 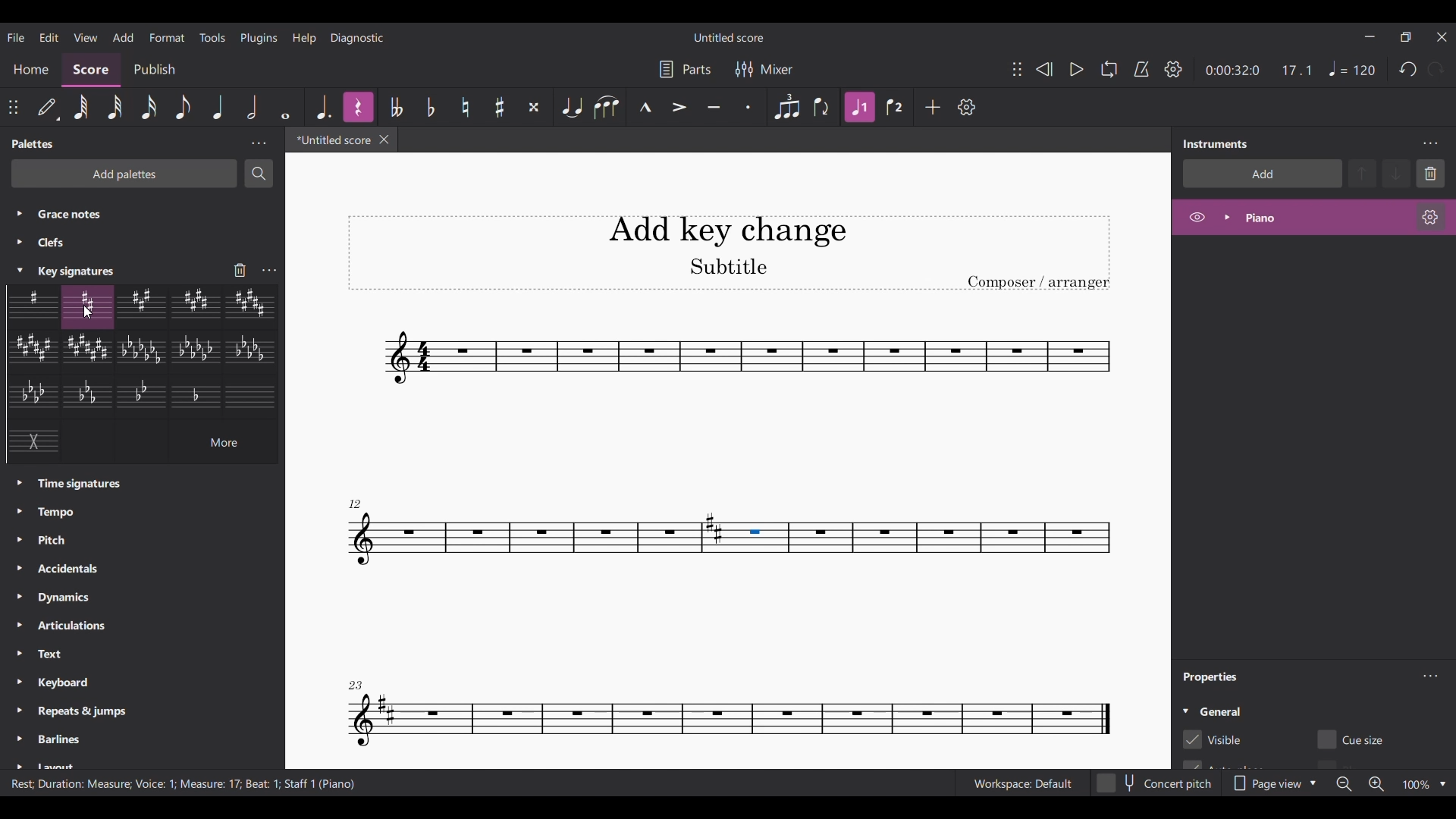 I want to click on Delete selection, so click(x=1430, y=174).